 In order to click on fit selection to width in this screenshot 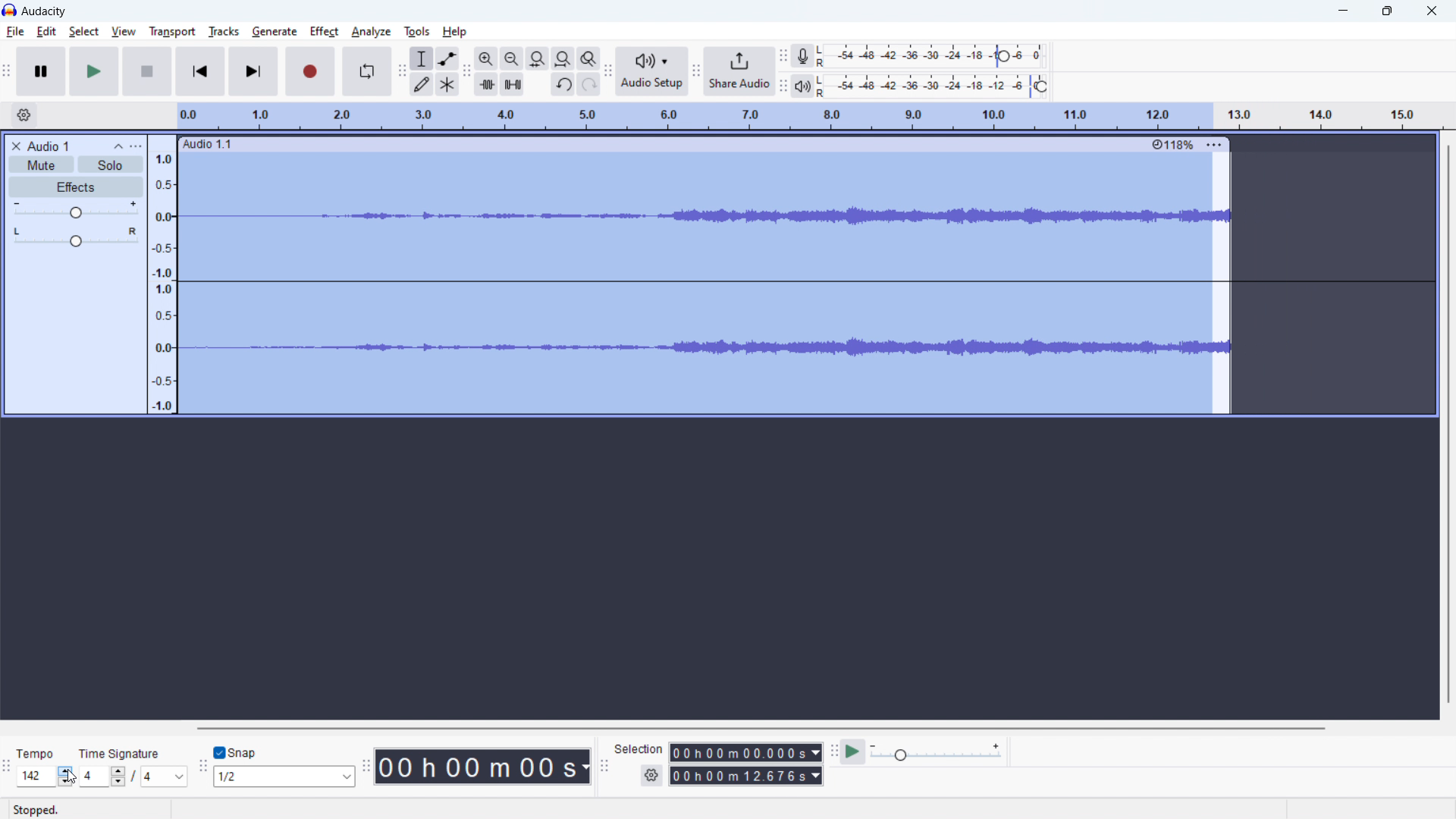, I will do `click(538, 58)`.